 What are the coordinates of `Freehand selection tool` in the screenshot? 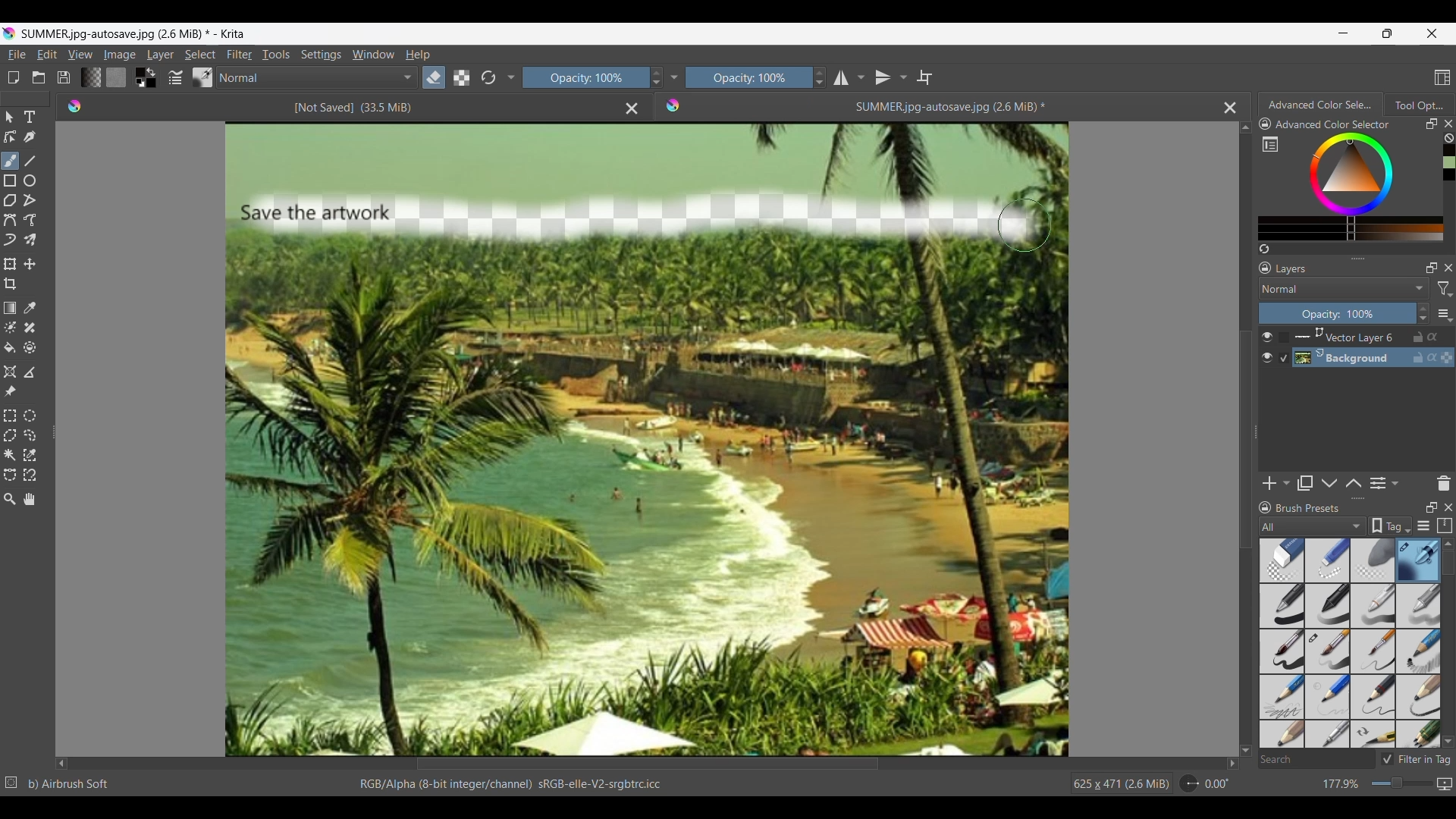 It's located at (30, 436).